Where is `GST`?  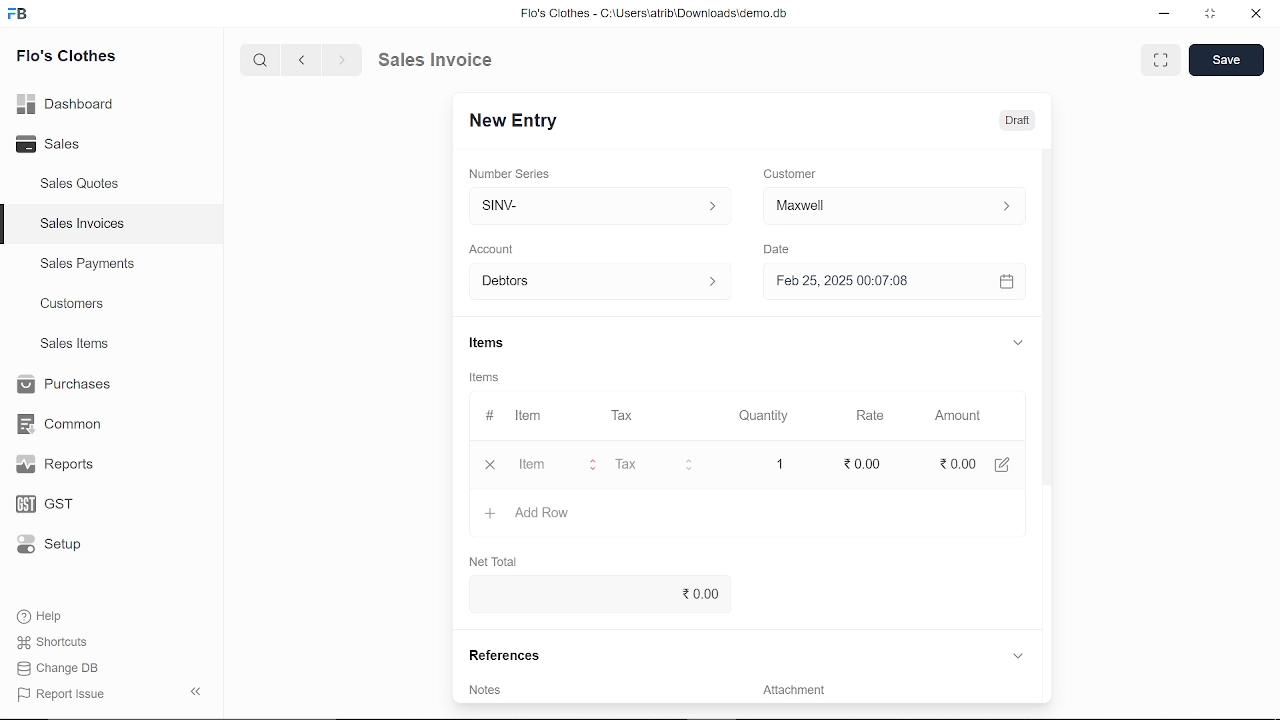
GST is located at coordinates (55, 501).